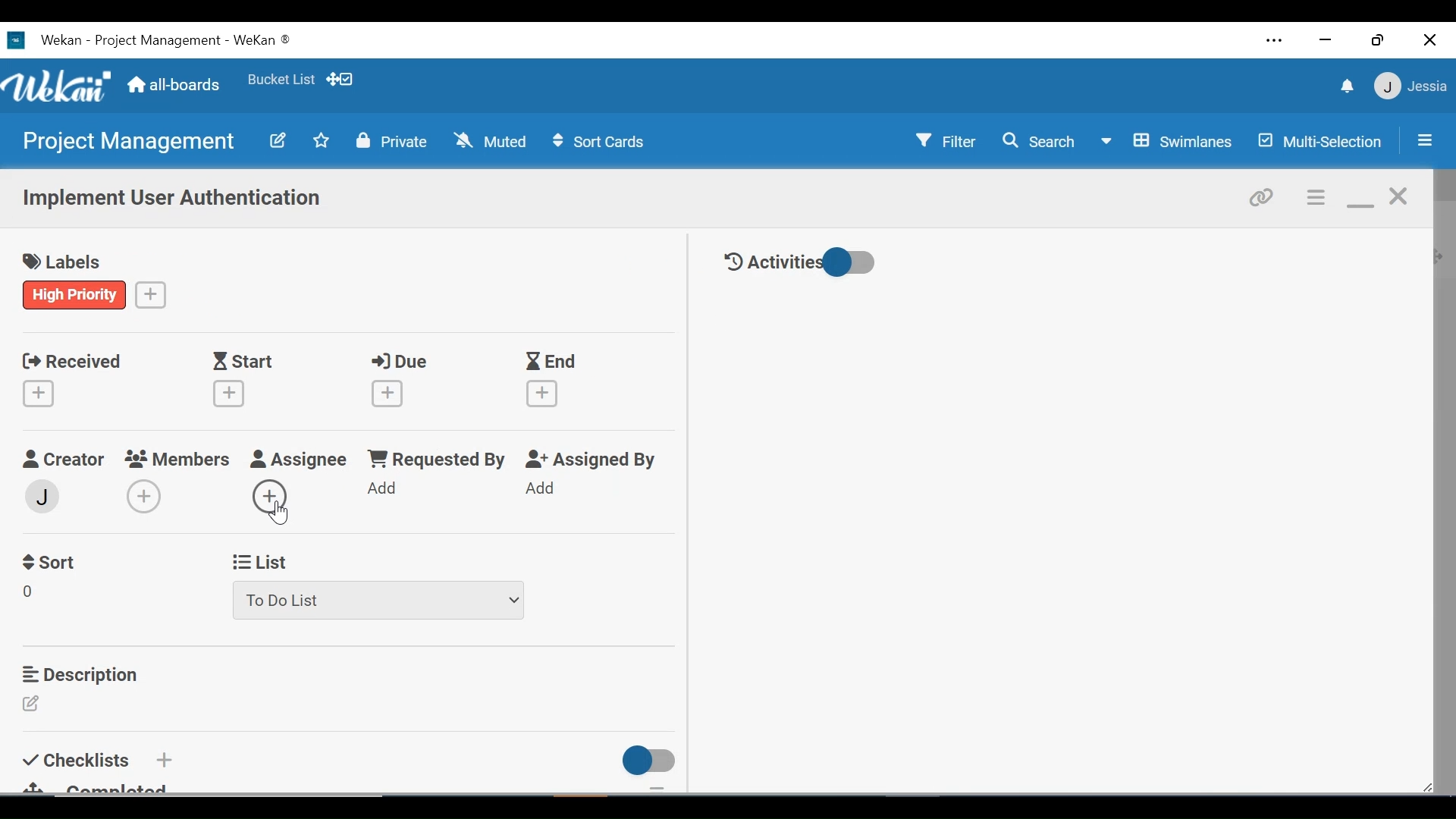 The height and width of the screenshot is (819, 1456). What do you see at coordinates (84, 674) in the screenshot?
I see `Description` at bounding box center [84, 674].